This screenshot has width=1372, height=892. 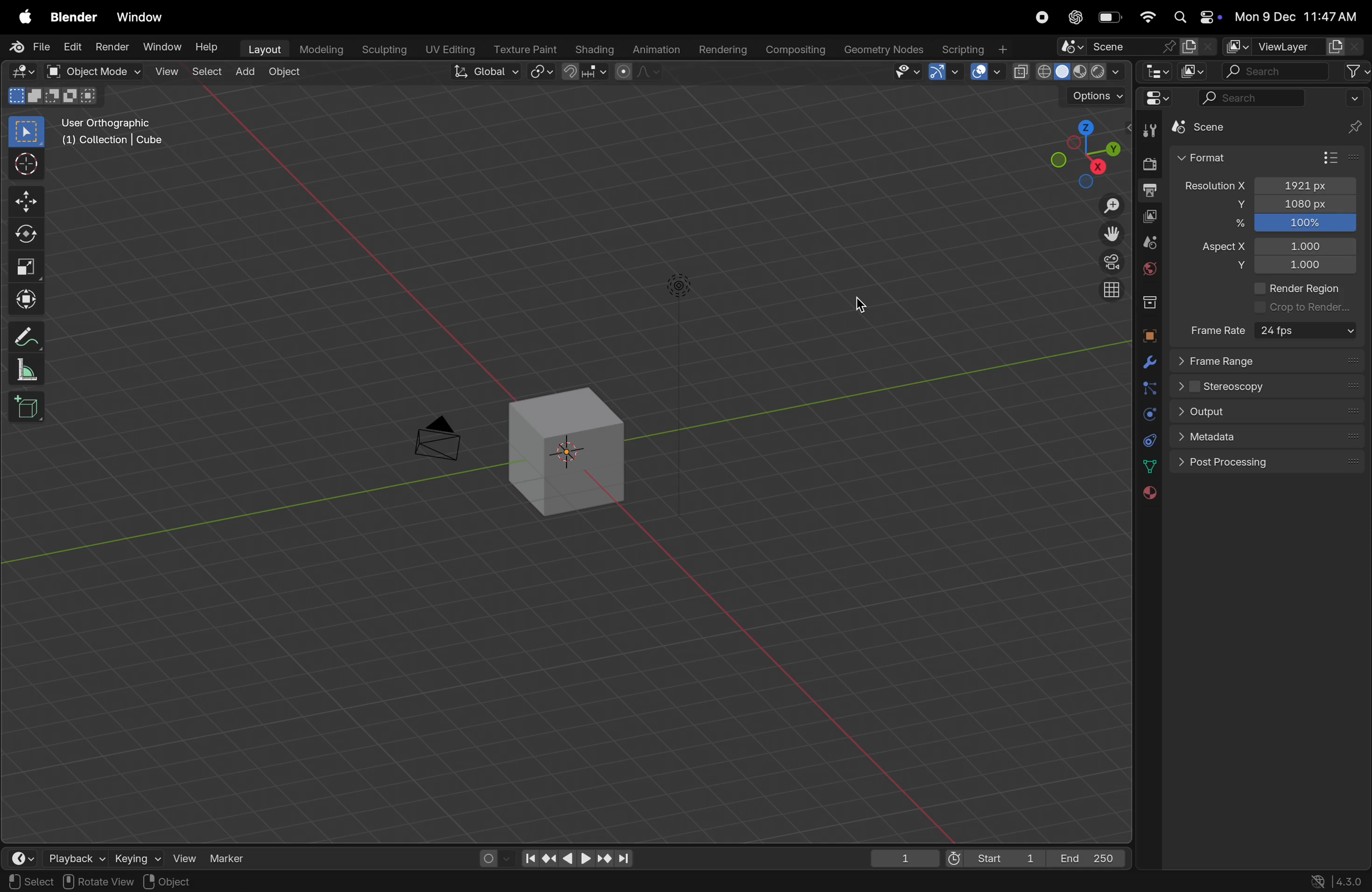 I want to click on transform pviot, so click(x=543, y=71).